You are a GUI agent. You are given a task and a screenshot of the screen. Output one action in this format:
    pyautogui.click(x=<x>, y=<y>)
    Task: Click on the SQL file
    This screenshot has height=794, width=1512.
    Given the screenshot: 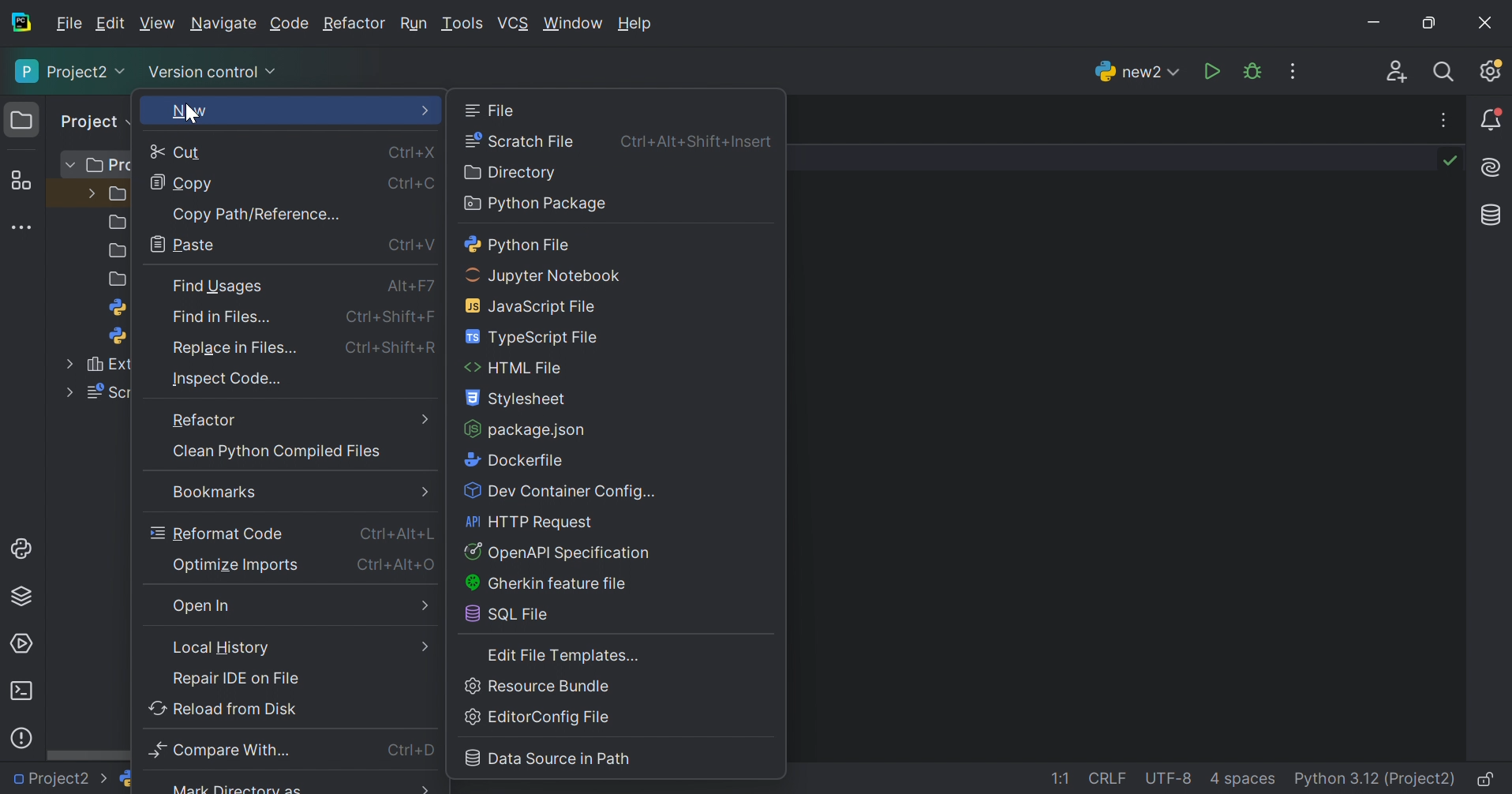 What is the action you would take?
    pyautogui.click(x=512, y=615)
    